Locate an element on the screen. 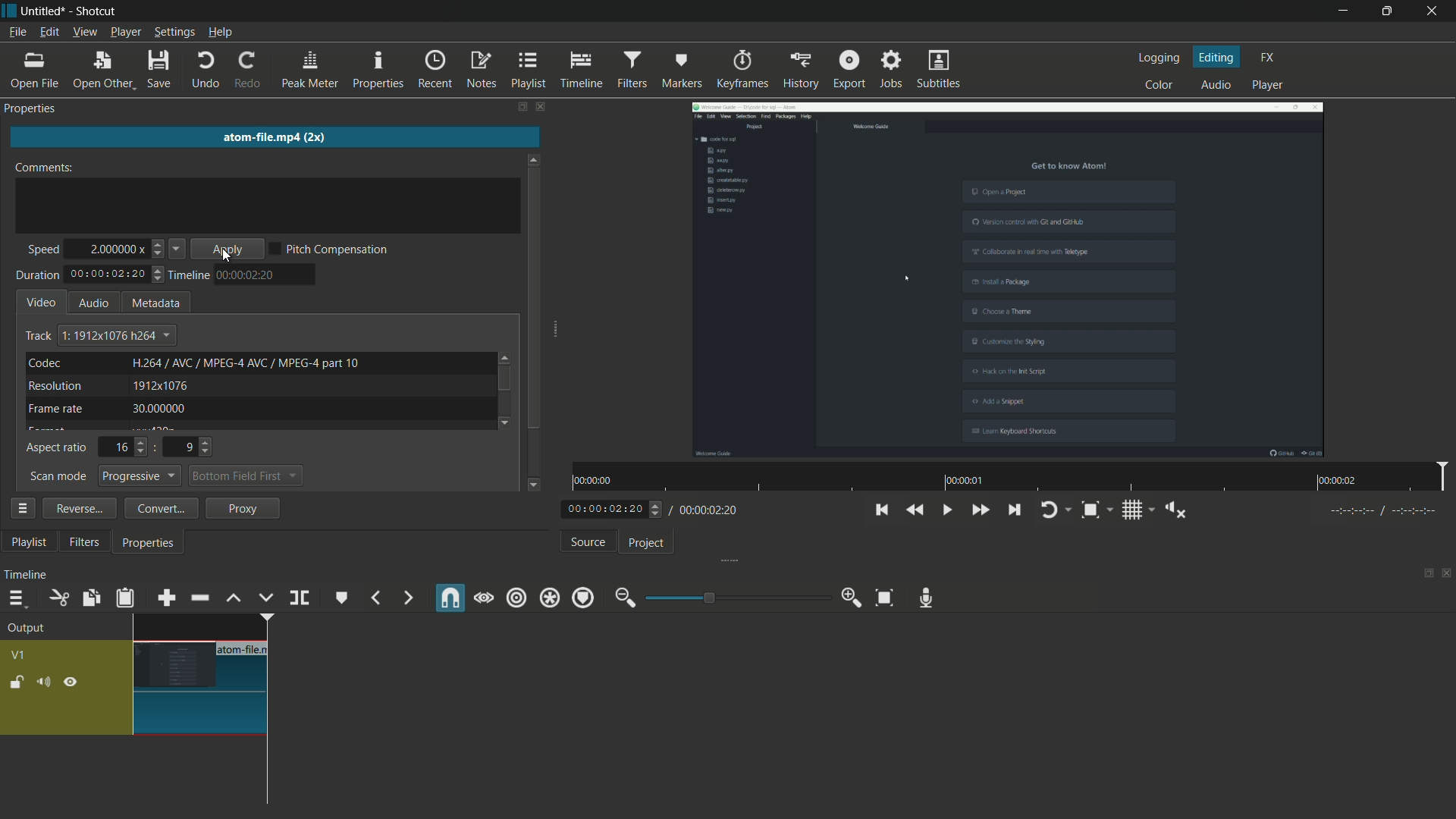 The image size is (1456, 819). project is located at coordinates (648, 542).